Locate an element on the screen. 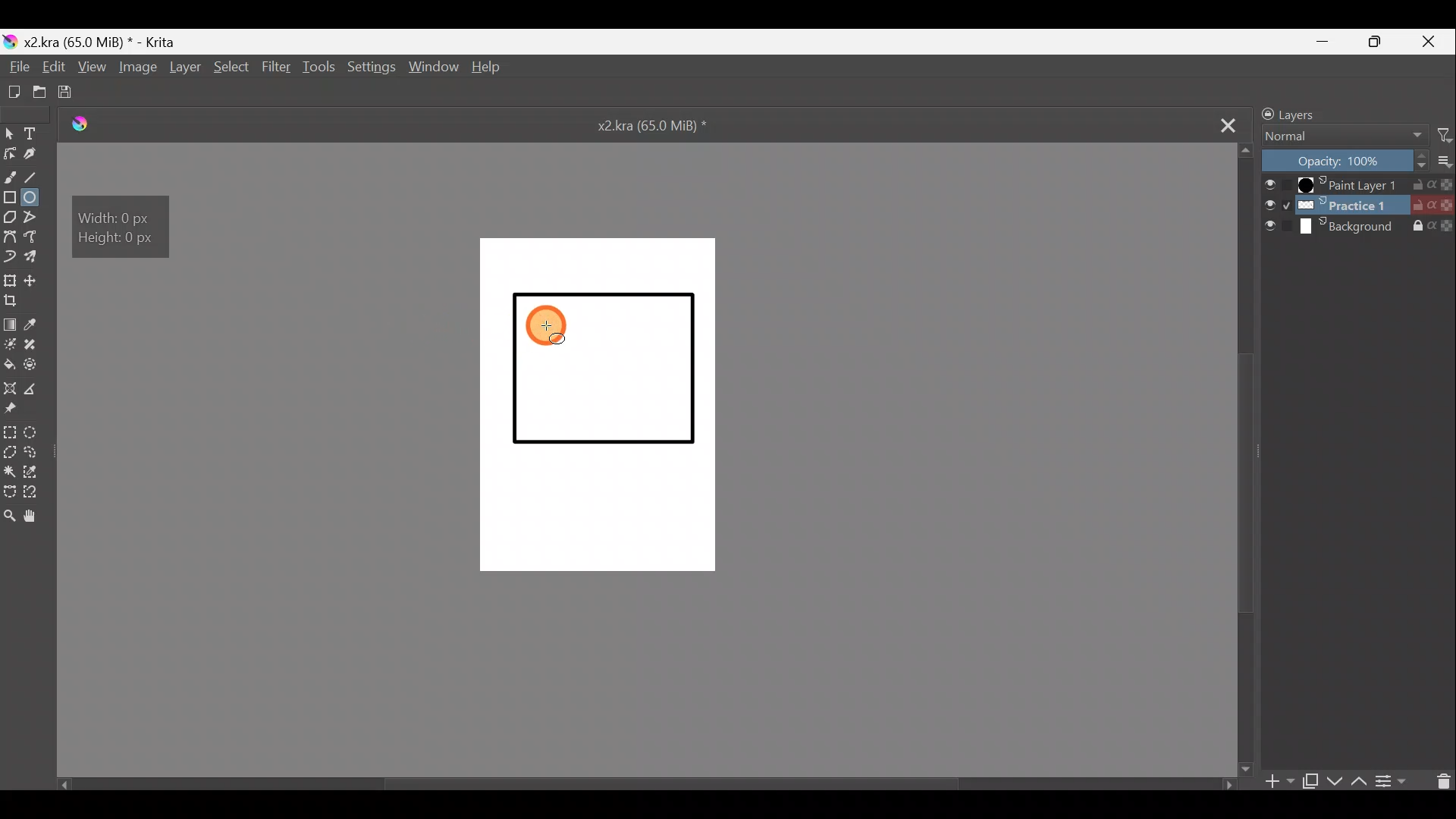  Filter is located at coordinates (275, 66).